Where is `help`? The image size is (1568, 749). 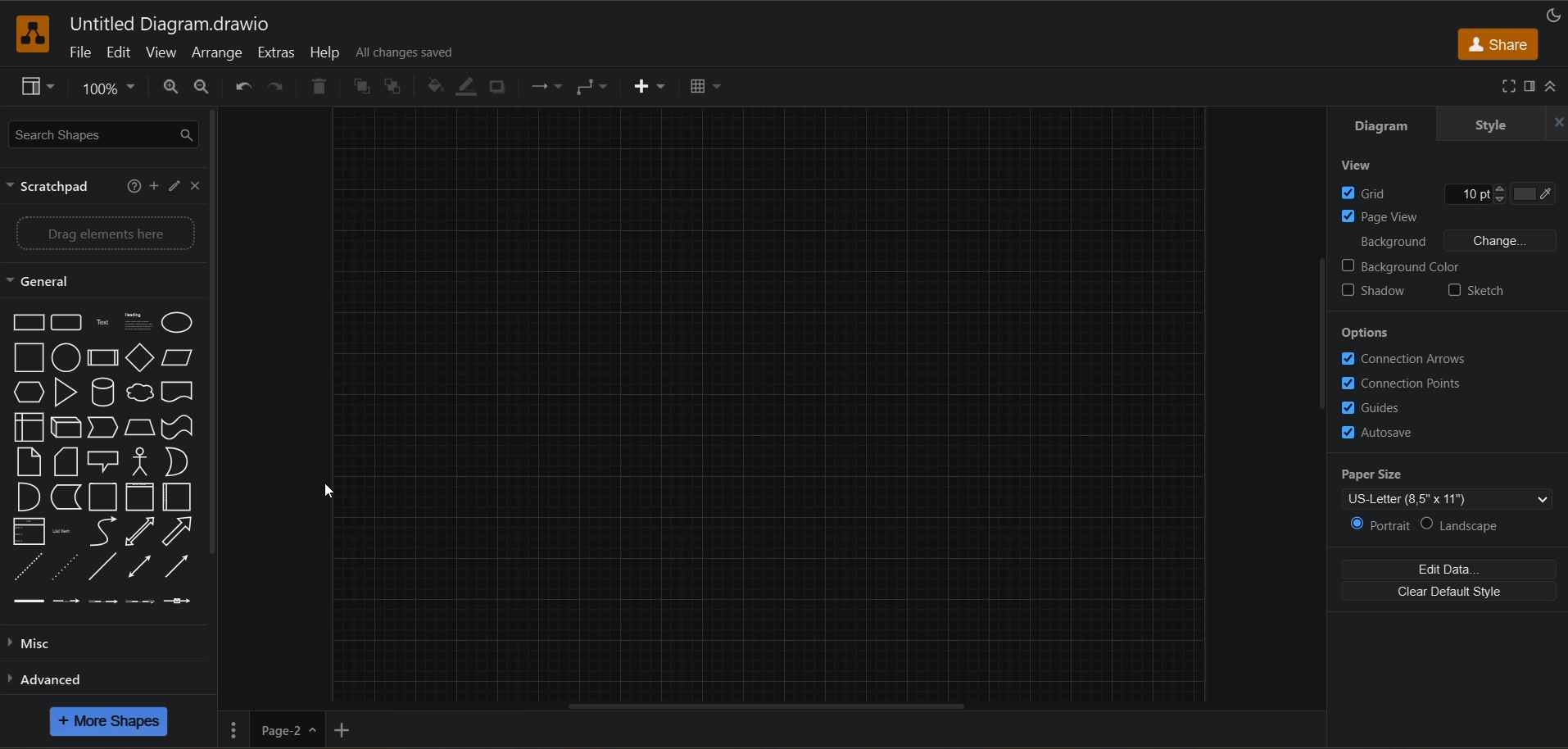
help is located at coordinates (131, 186).